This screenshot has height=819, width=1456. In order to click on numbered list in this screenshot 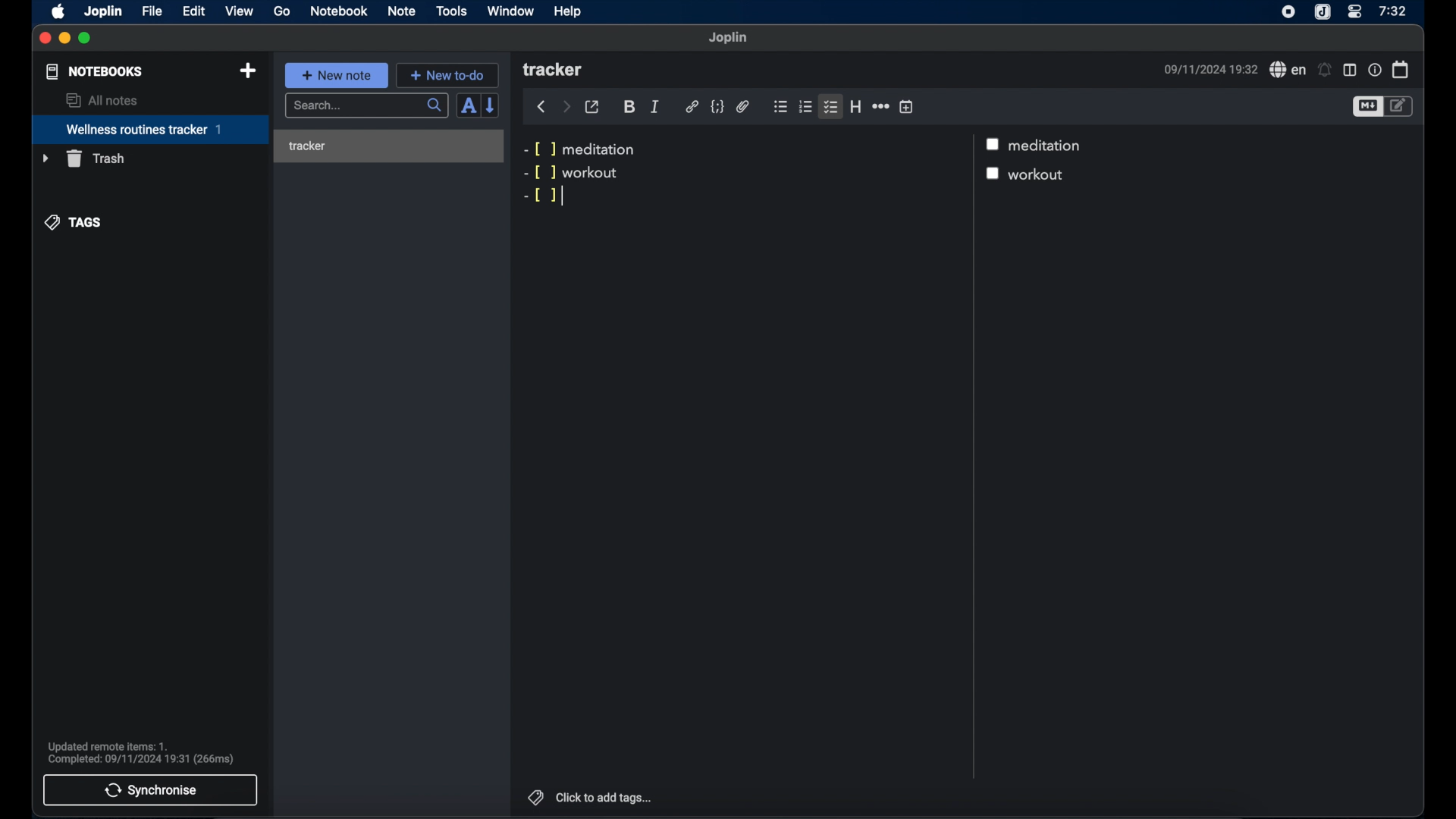, I will do `click(806, 107)`.